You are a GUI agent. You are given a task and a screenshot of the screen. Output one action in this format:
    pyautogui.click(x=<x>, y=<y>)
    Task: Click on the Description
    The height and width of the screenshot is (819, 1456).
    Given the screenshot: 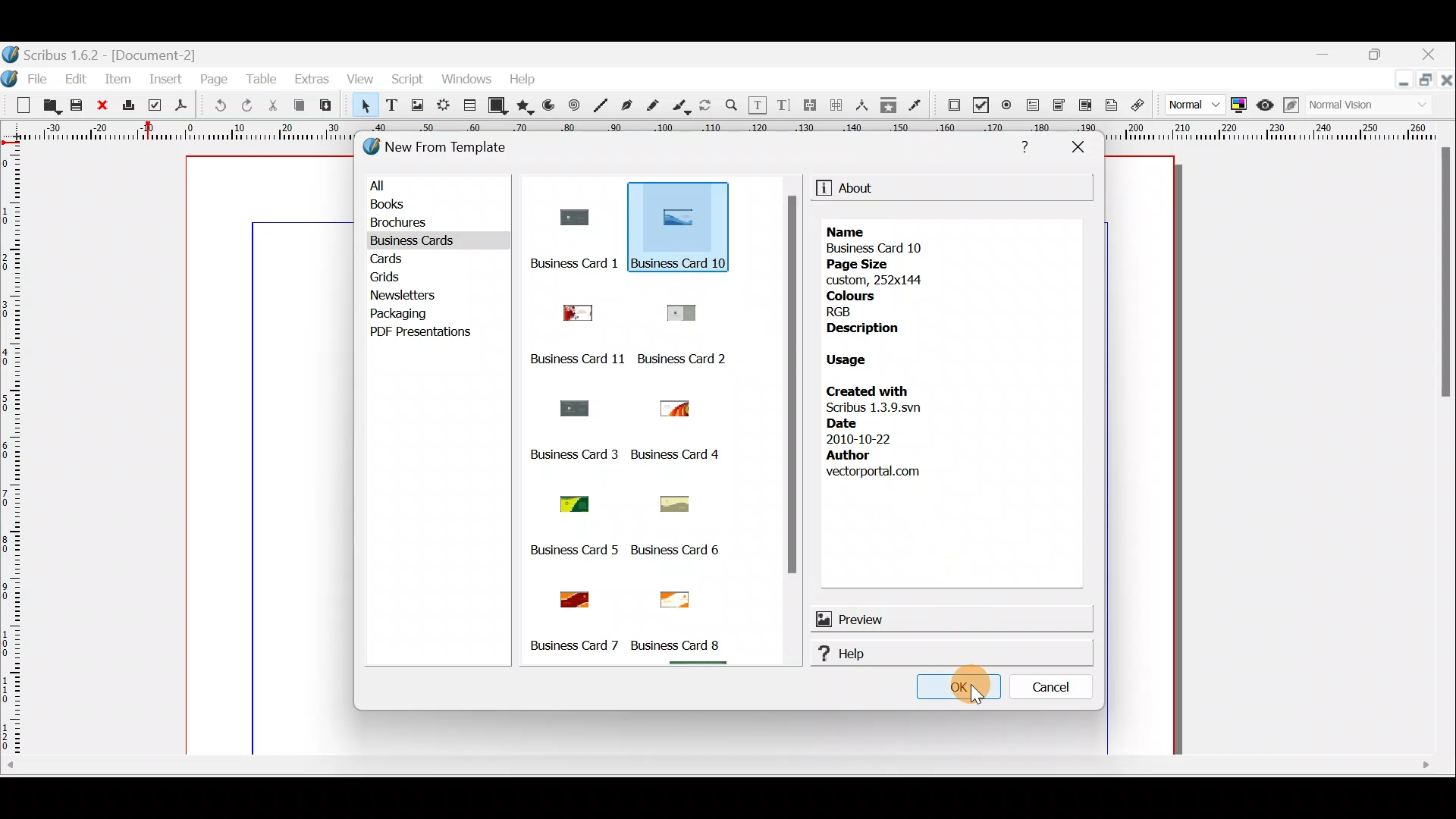 What is the action you would take?
    pyautogui.click(x=862, y=327)
    